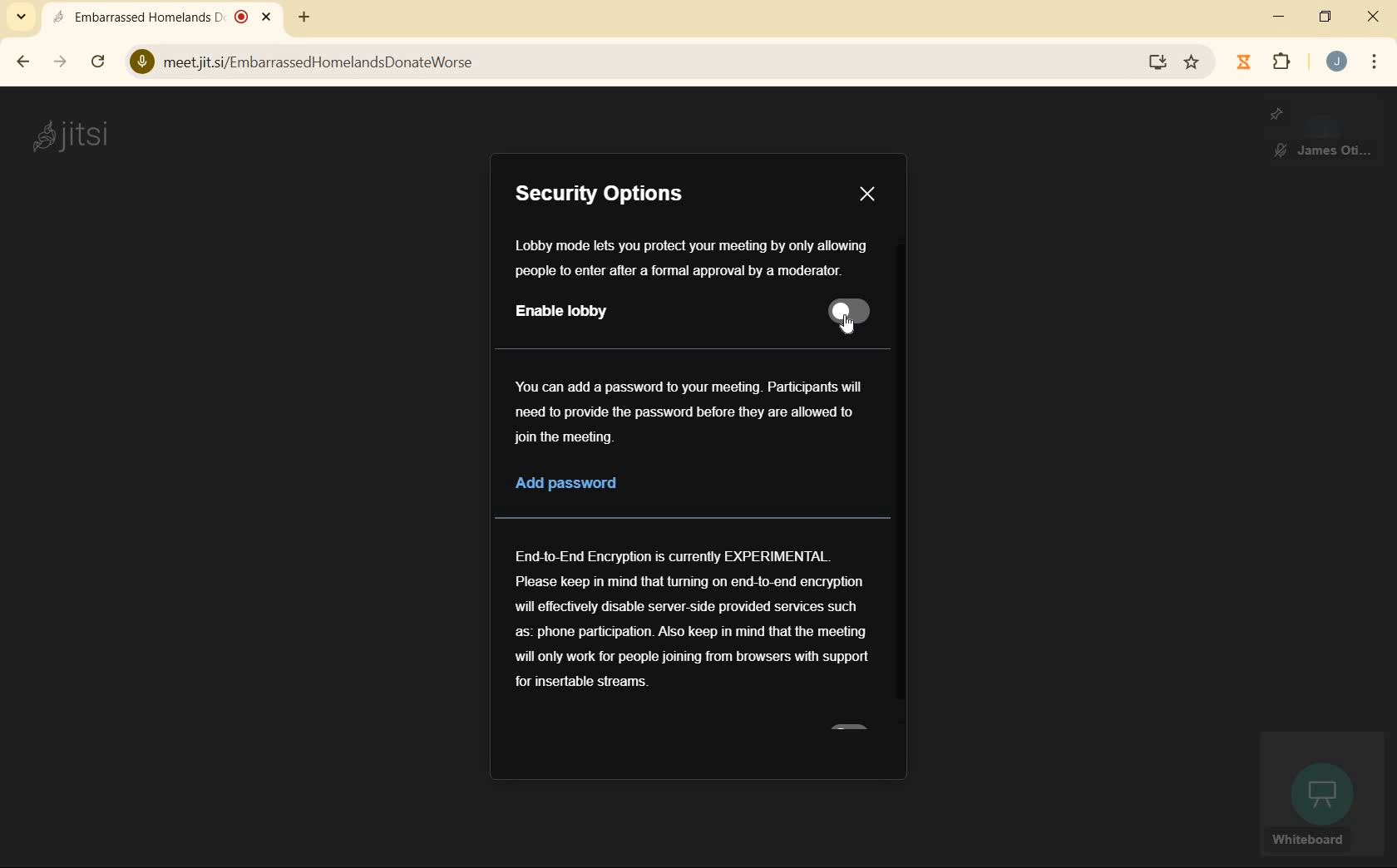 The height and width of the screenshot is (868, 1397). Describe the element at coordinates (687, 413) in the screenshot. I see `instructions on adding password` at that location.